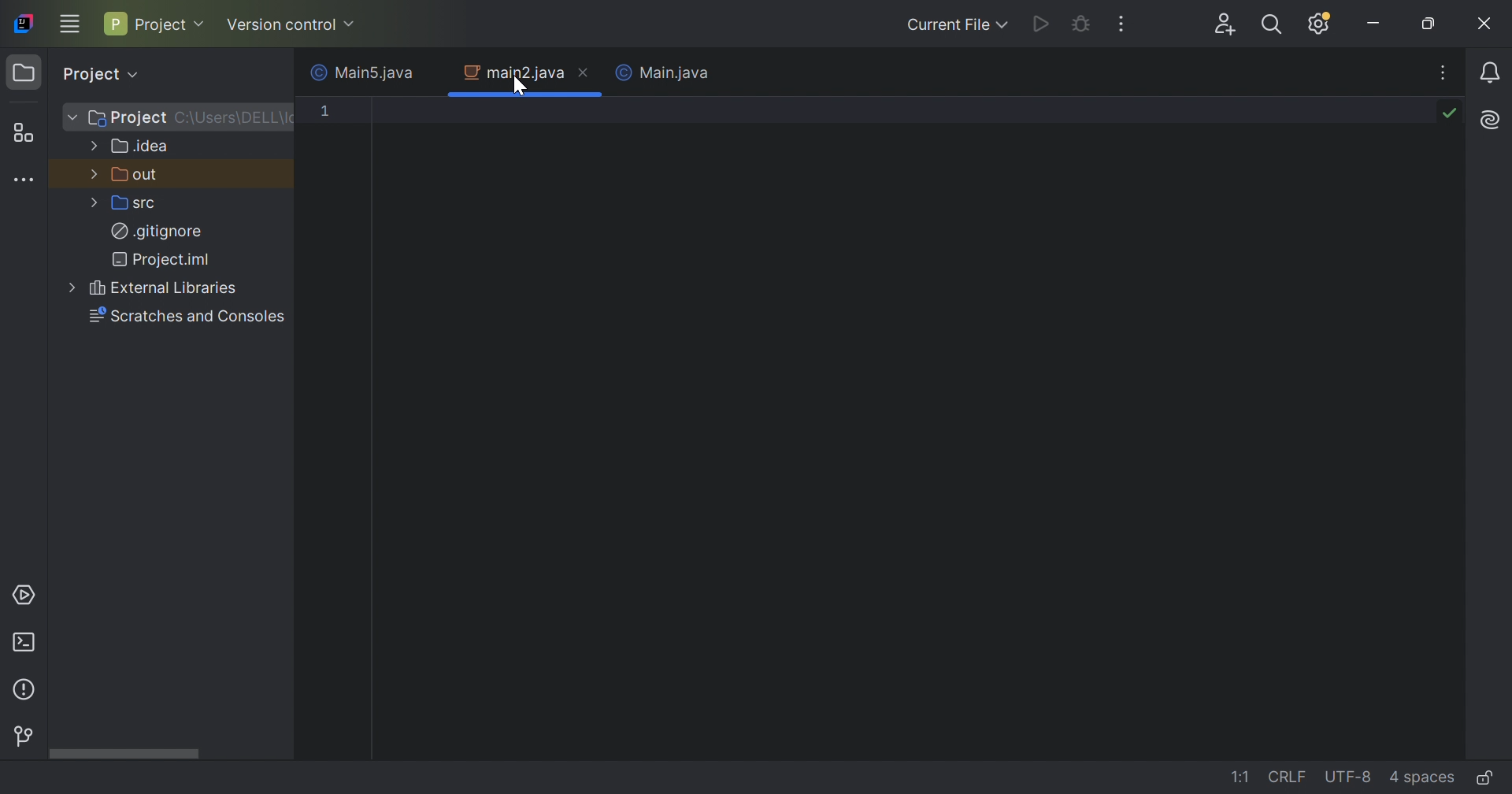  Describe the element at coordinates (156, 231) in the screenshot. I see `.gitignore` at that location.